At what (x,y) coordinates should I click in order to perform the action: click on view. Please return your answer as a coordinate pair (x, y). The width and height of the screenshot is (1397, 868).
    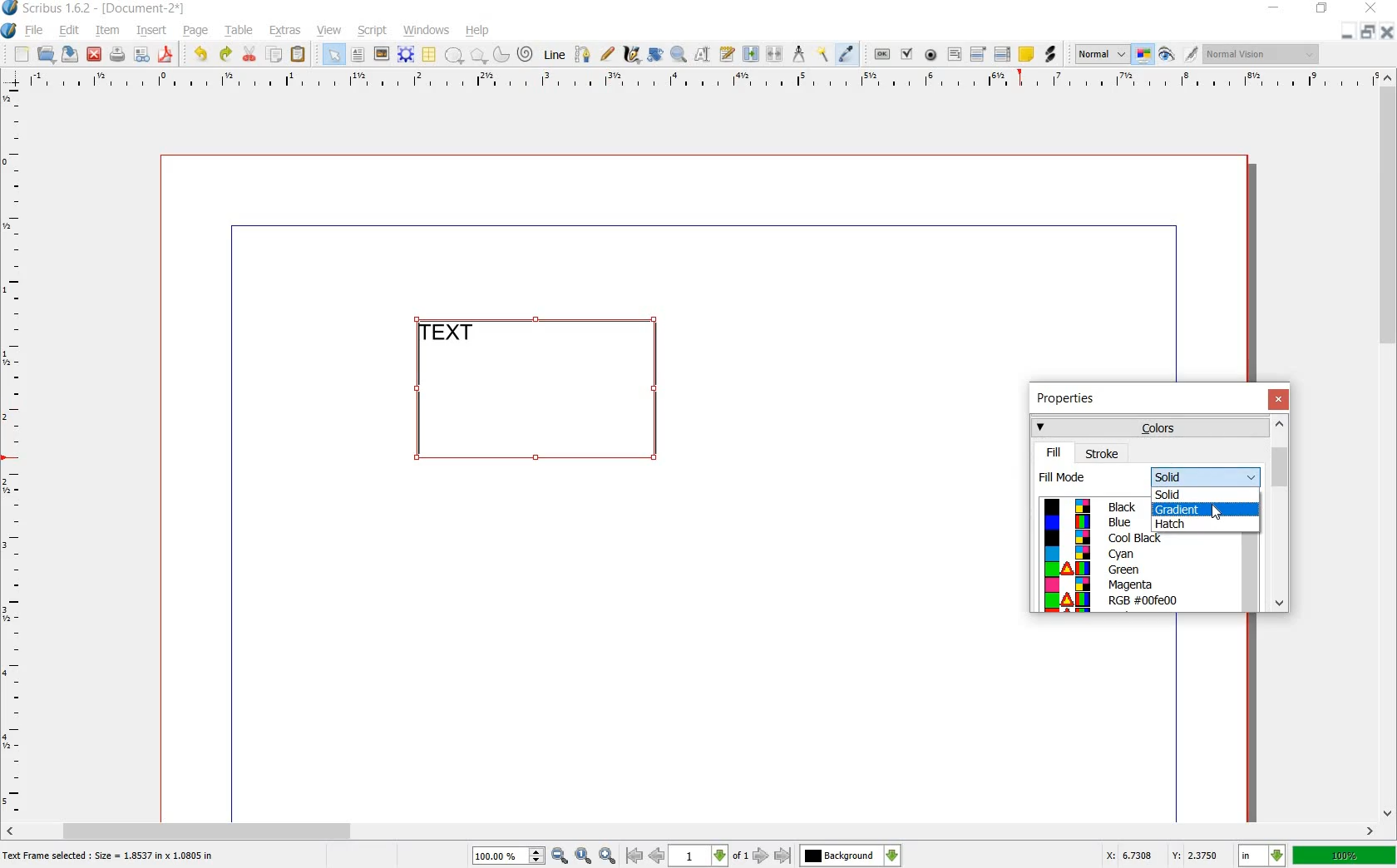
    Looking at the image, I should click on (330, 31).